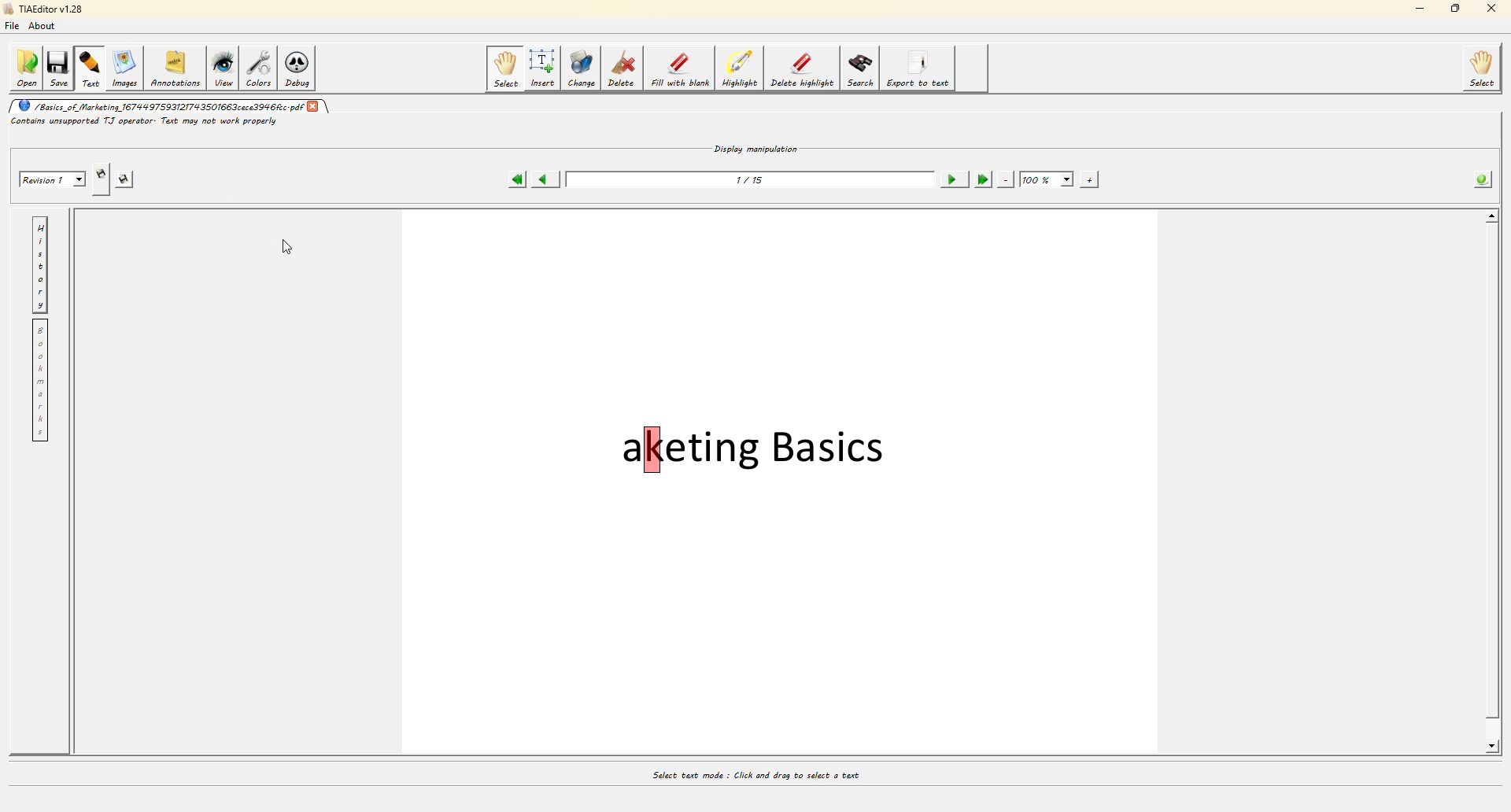 The image size is (1511, 812). I want to click on move down, so click(1494, 747).